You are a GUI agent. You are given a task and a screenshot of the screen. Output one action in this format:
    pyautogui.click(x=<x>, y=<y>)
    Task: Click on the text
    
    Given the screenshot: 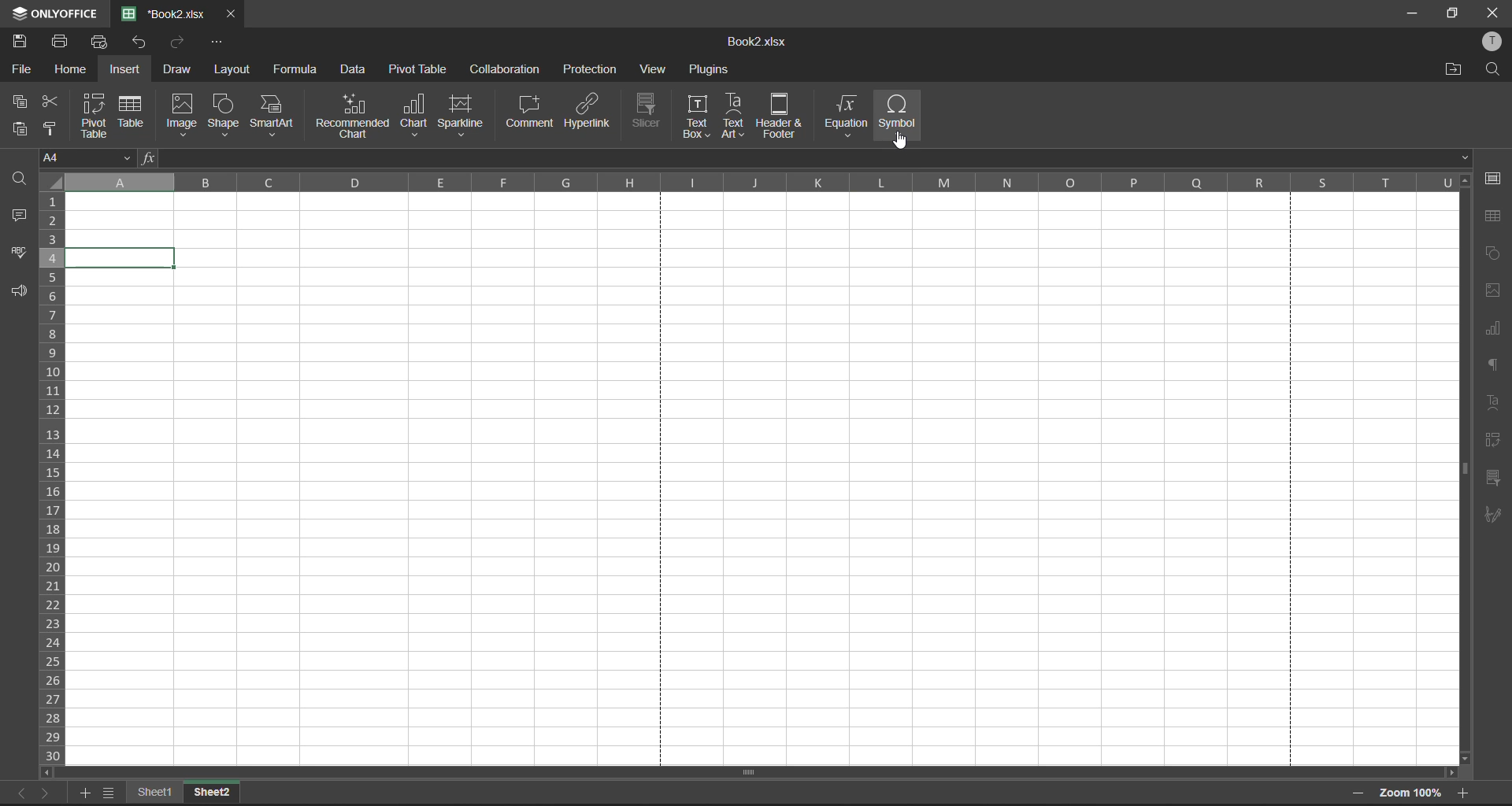 What is the action you would take?
    pyautogui.click(x=1495, y=404)
    